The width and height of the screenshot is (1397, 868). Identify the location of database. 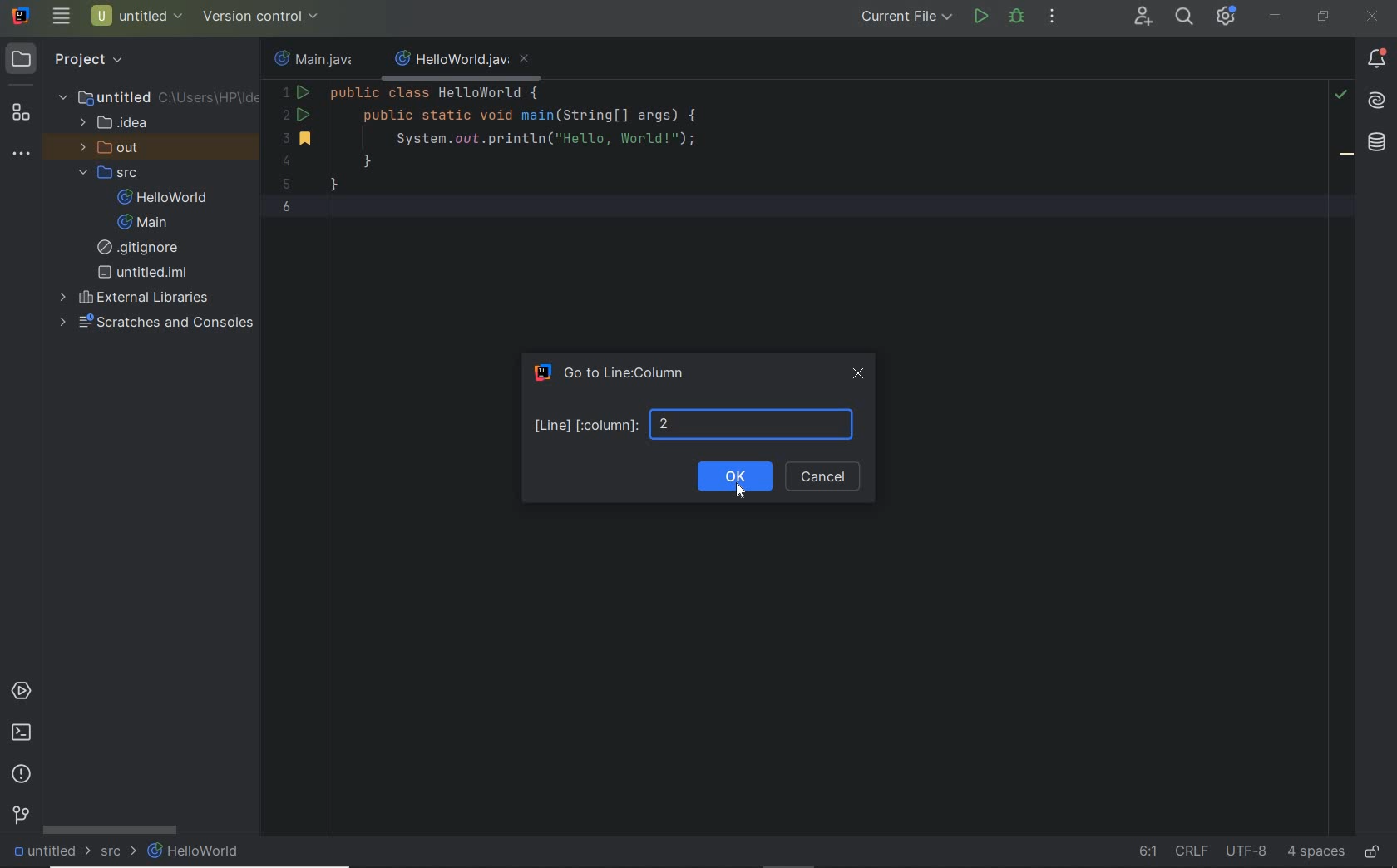
(1377, 145).